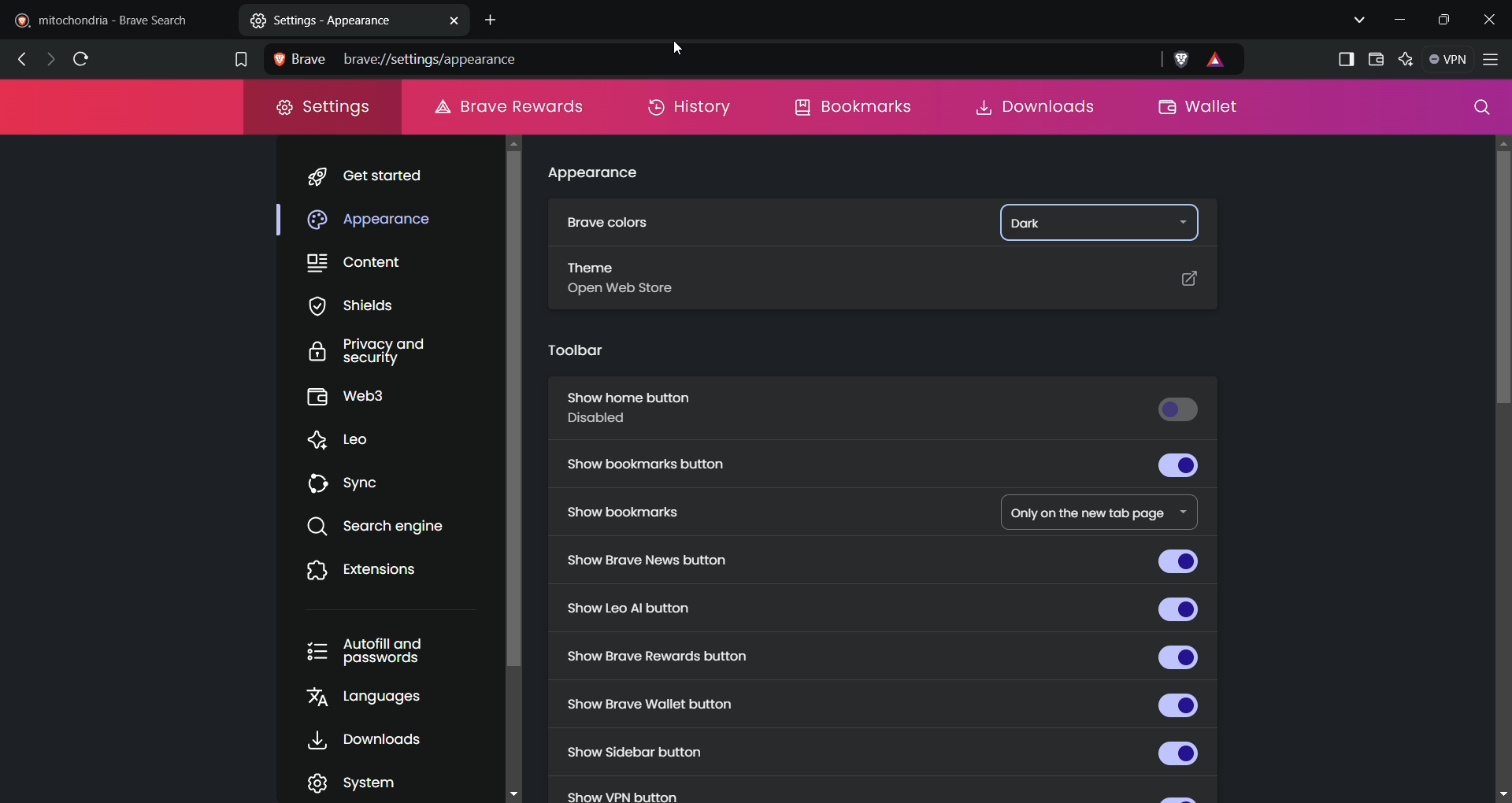 The height and width of the screenshot is (803, 1512). I want to click on brave colors, so click(609, 225).